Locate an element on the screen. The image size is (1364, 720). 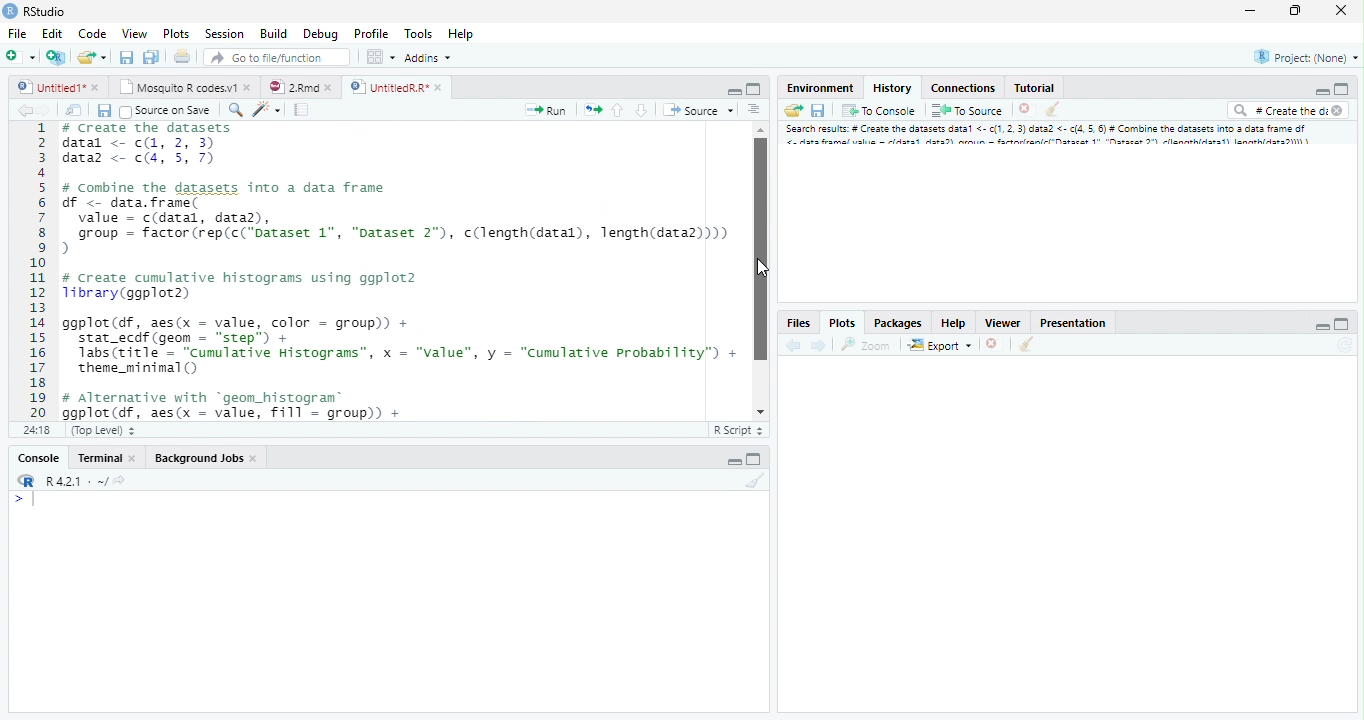
Maximize is located at coordinates (757, 460).